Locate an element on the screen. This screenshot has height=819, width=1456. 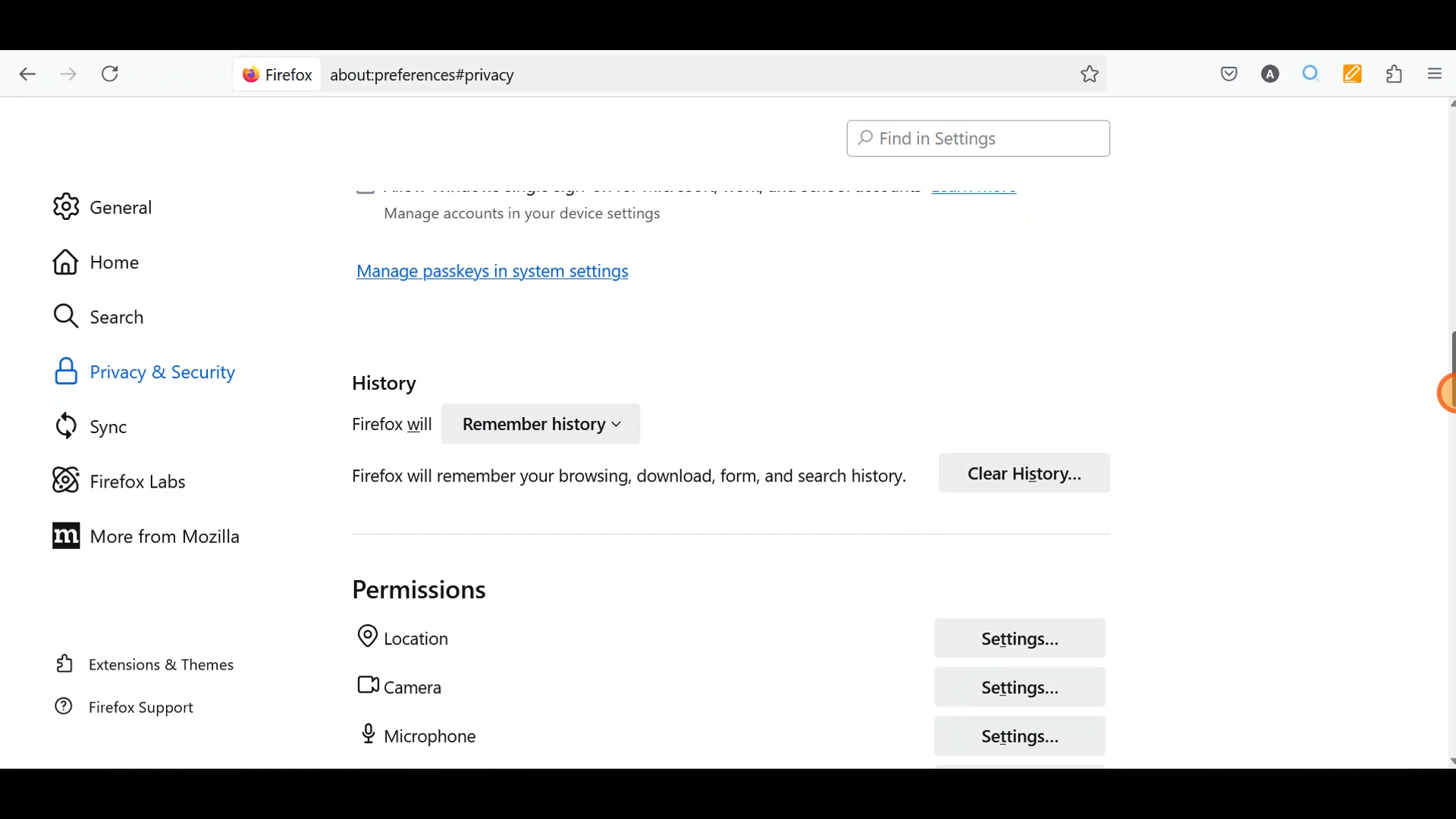
Firefox support is located at coordinates (144, 714).